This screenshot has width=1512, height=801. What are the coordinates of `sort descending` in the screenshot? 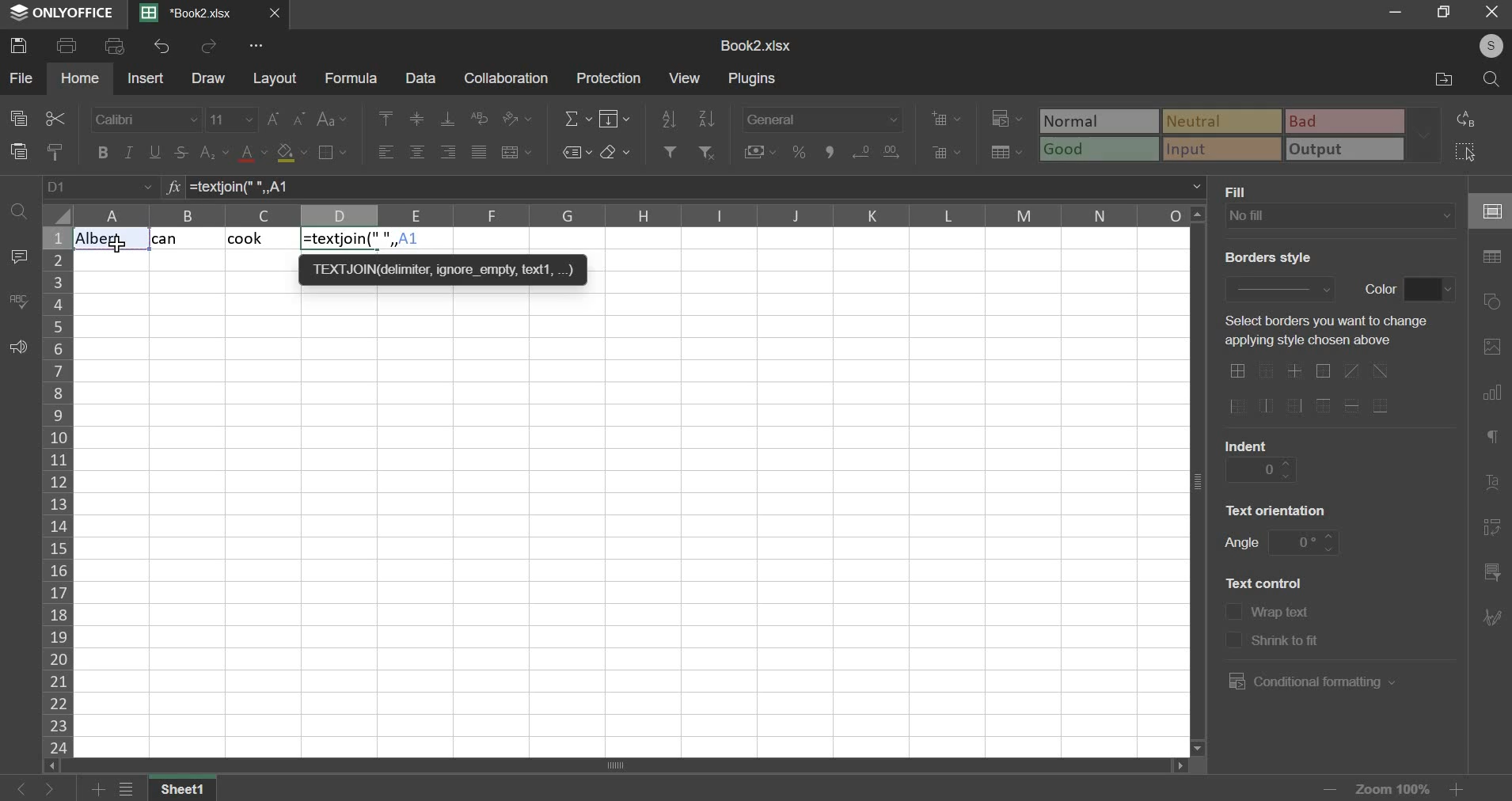 It's located at (706, 118).